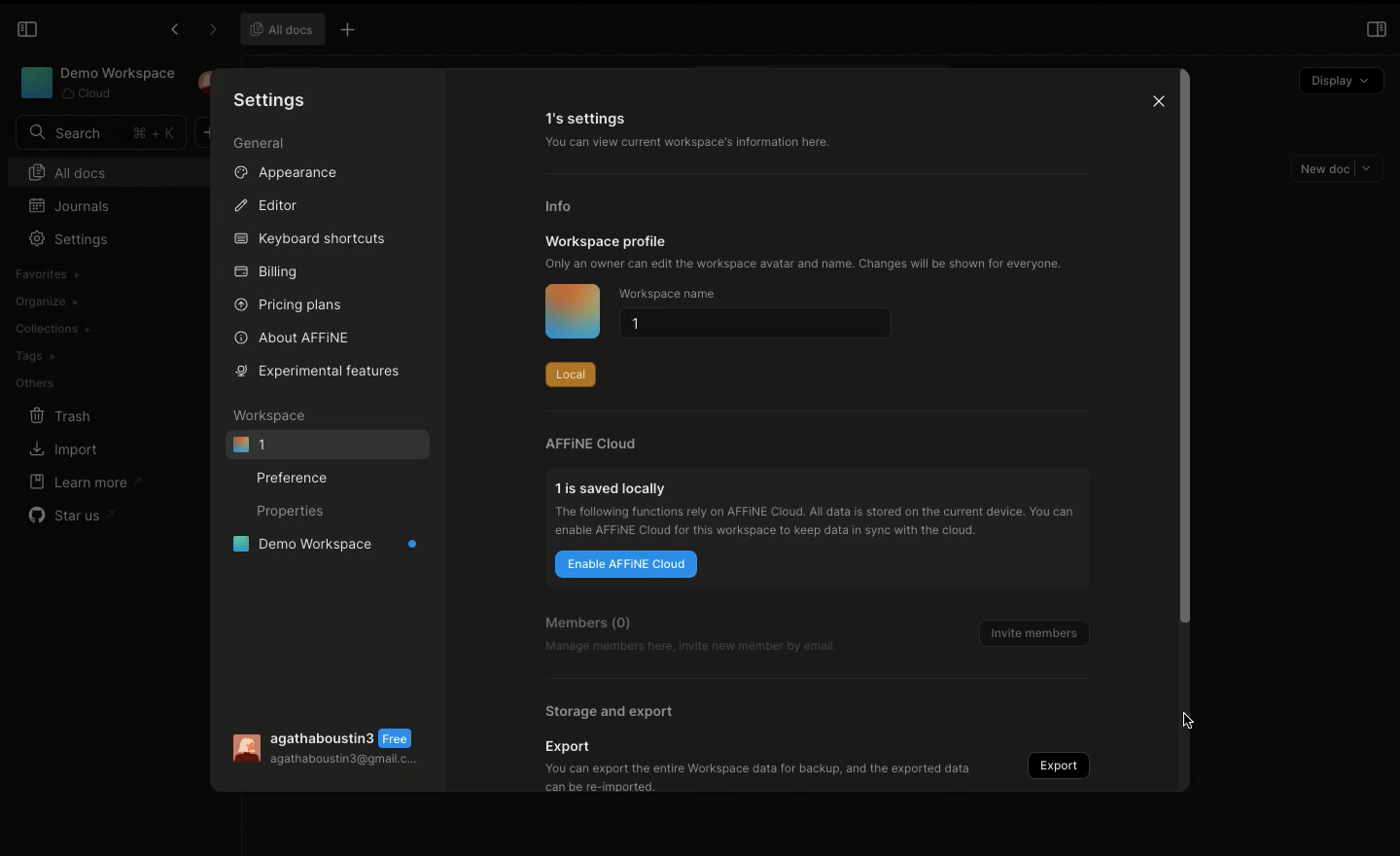 This screenshot has width=1400, height=856. I want to click on Workspace, so click(95, 83).